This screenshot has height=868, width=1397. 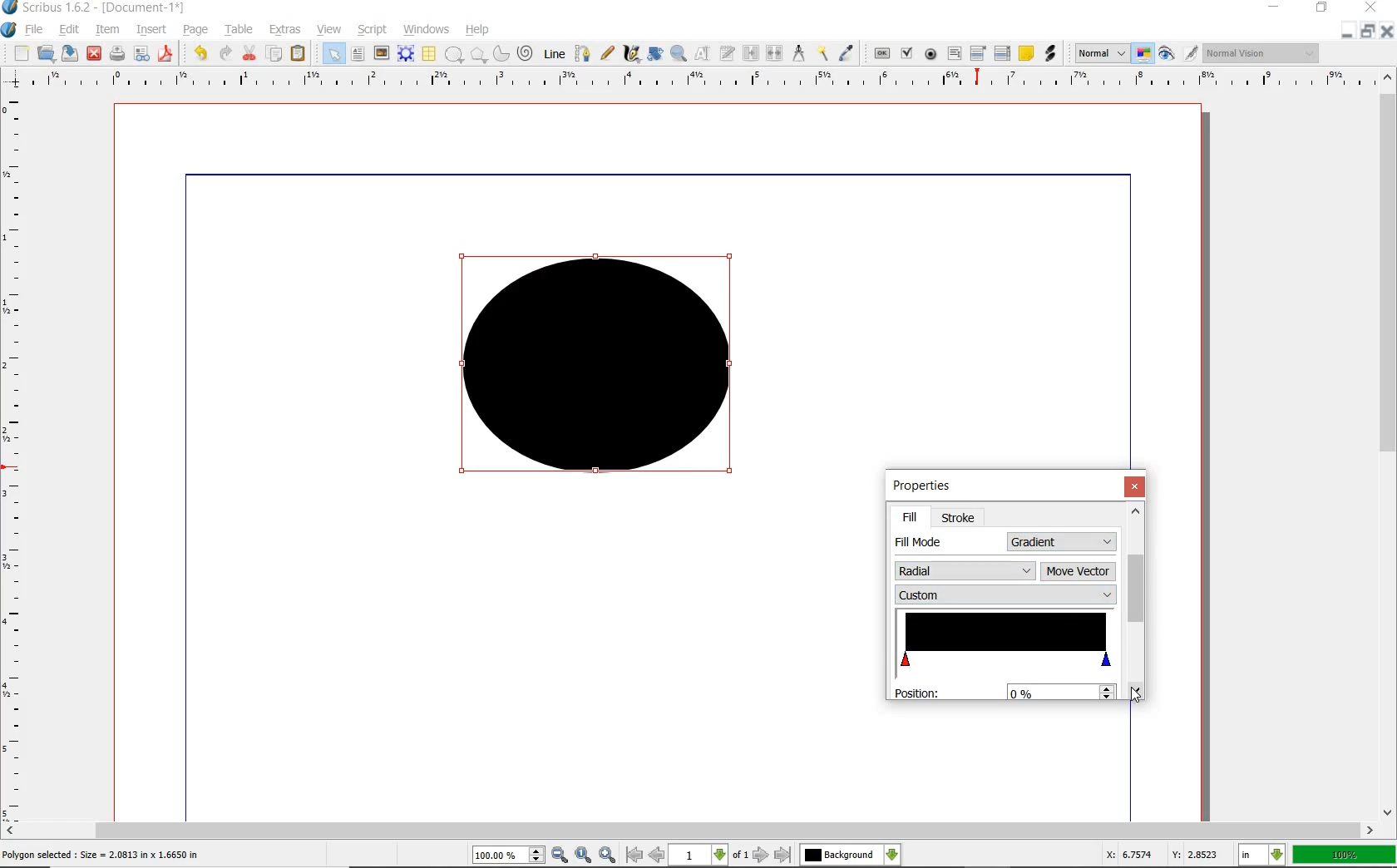 I want to click on FILE, so click(x=36, y=29).